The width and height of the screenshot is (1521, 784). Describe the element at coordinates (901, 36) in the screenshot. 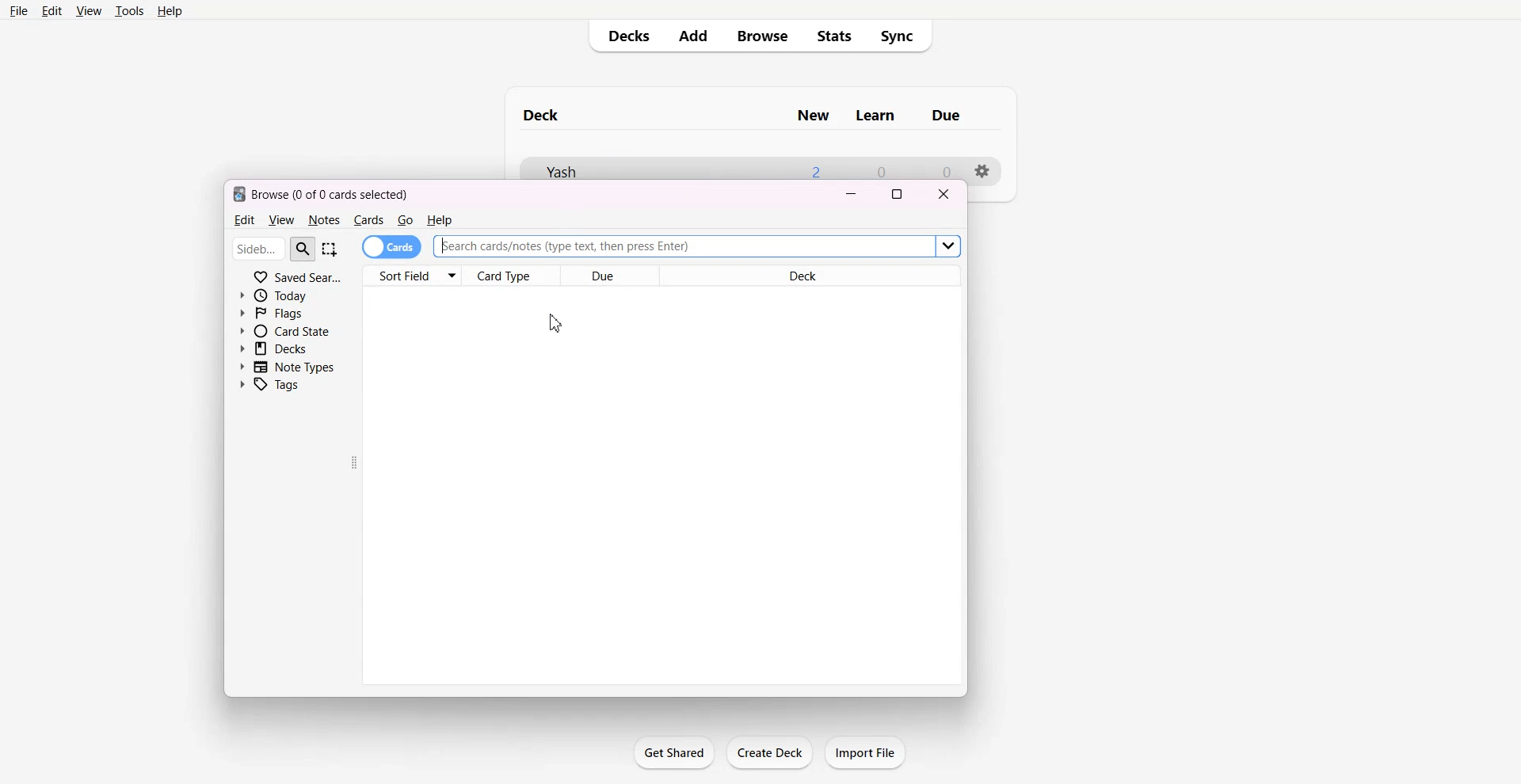

I see `Sync` at that location.